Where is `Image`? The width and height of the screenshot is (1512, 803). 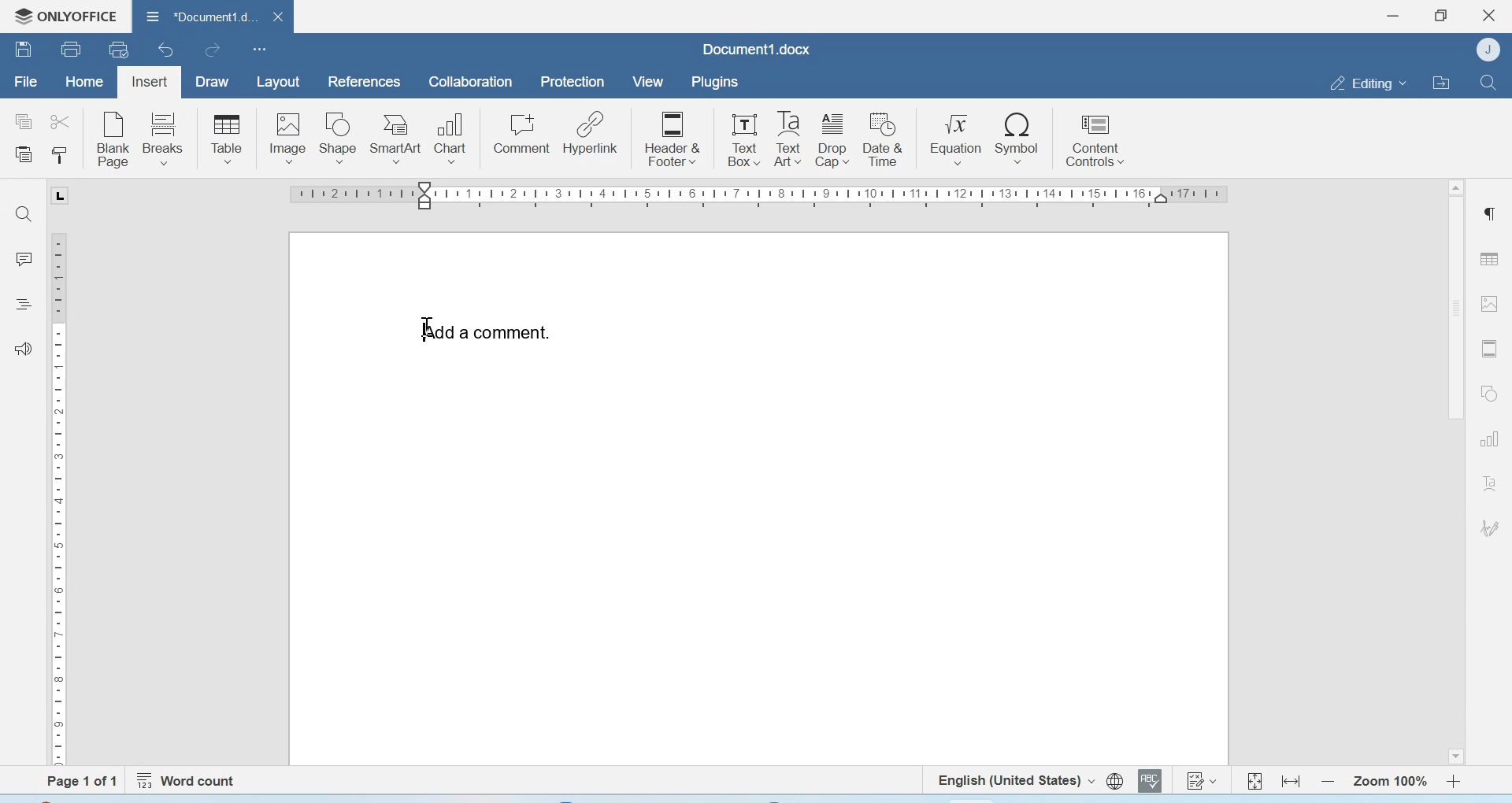 Image is located at coordinates (287, 138).